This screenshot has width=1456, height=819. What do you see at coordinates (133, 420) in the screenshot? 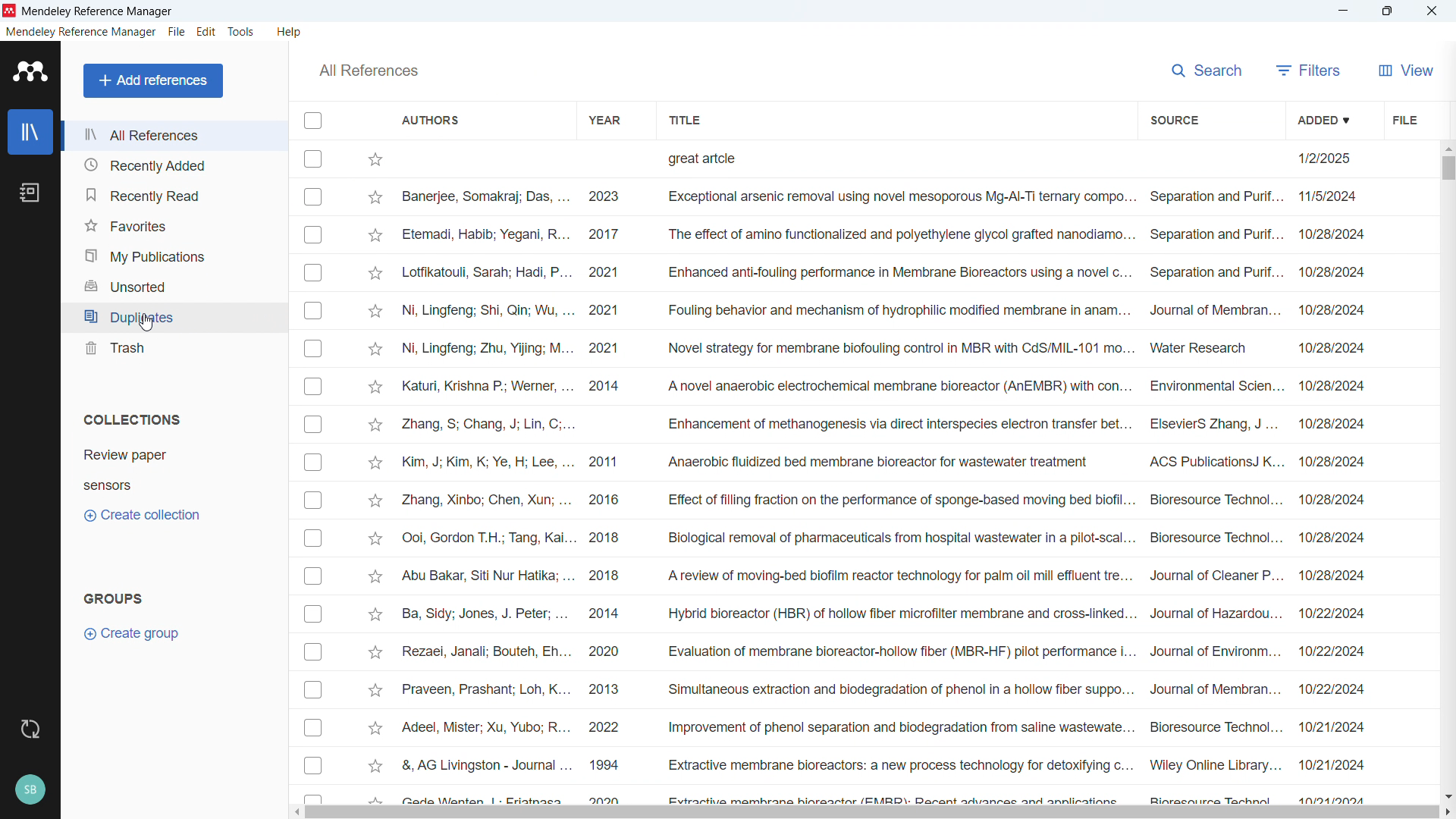
I see `Collections ` at bounding box center [133, 420].